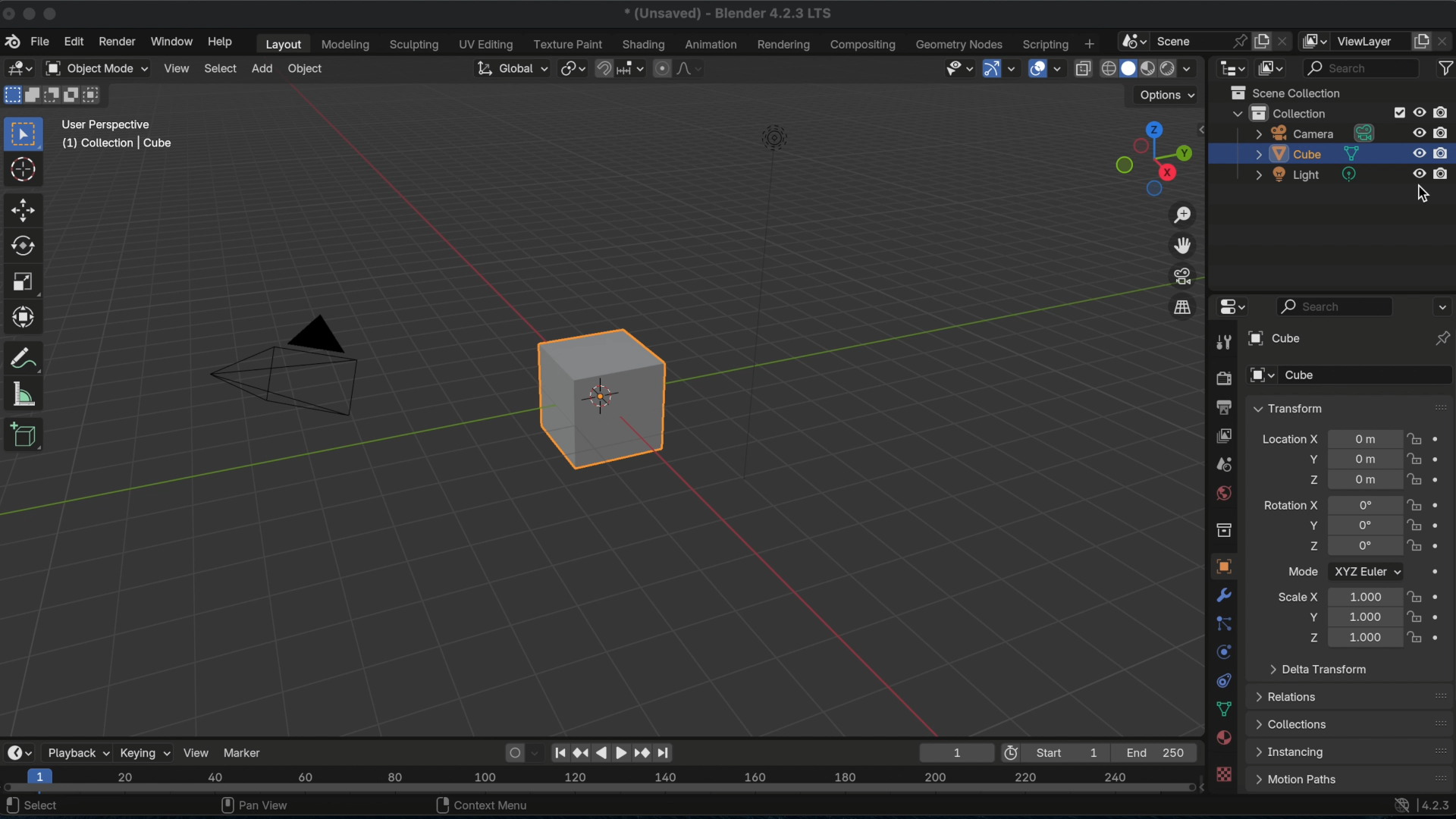 This screenshot has height=819, width=1456. I want to click on sidebar , so click(1205, 127).